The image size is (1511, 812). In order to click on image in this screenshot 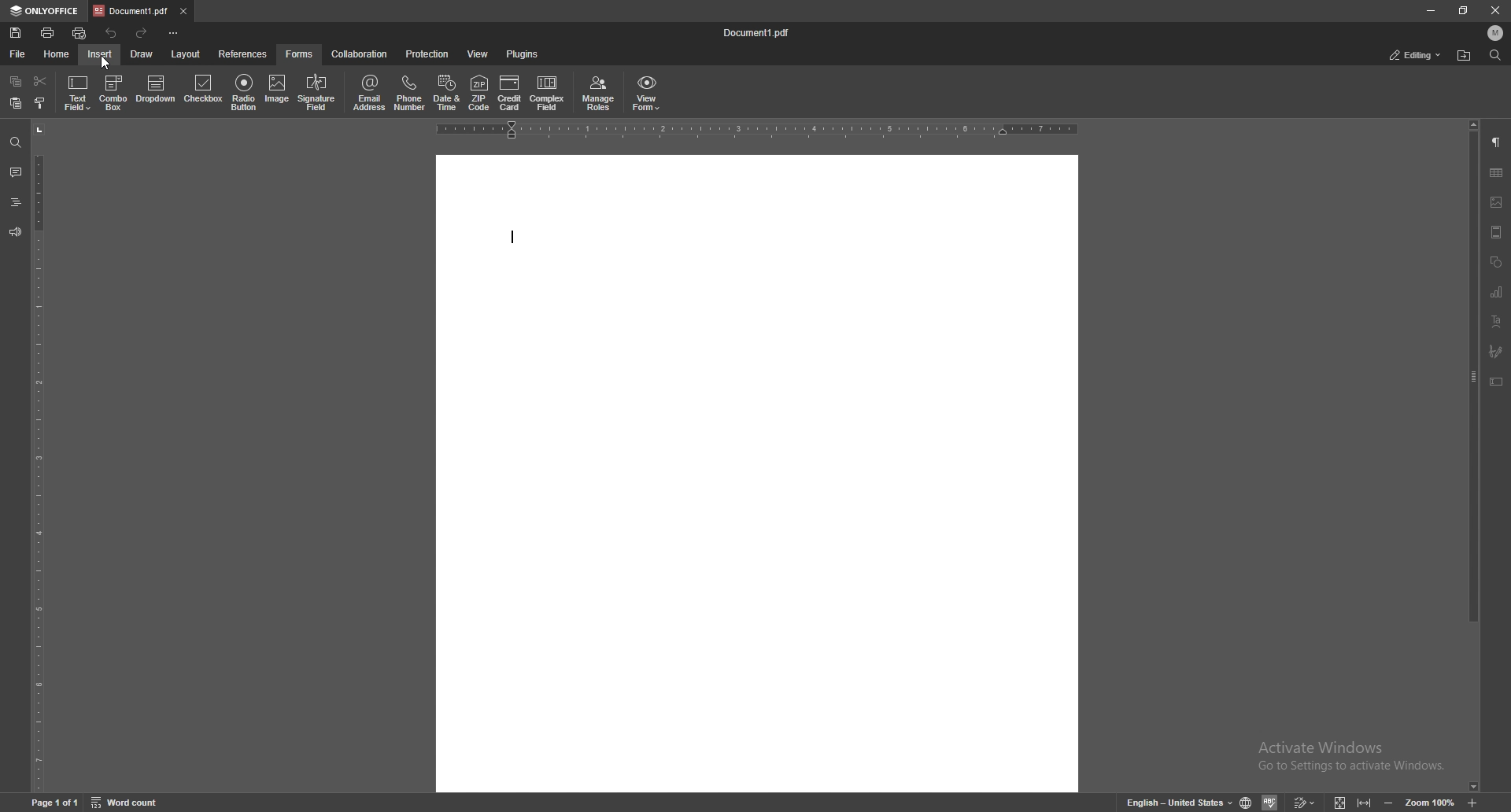, I will do `click(277, 91)`.